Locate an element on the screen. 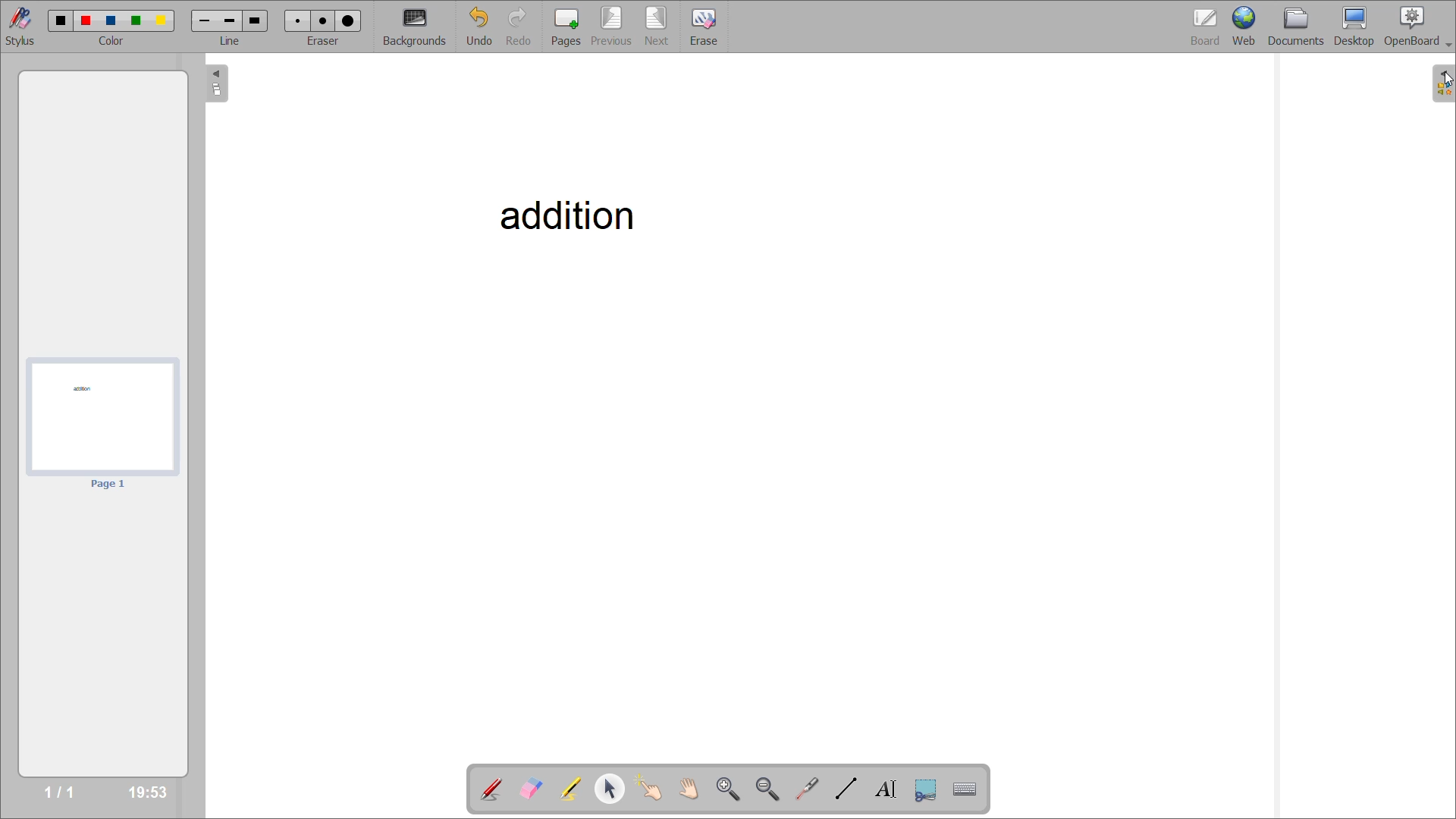 Image resolution: width=1456 pixels, height=819 pixels. highlight is located at coordinates (576, 790).